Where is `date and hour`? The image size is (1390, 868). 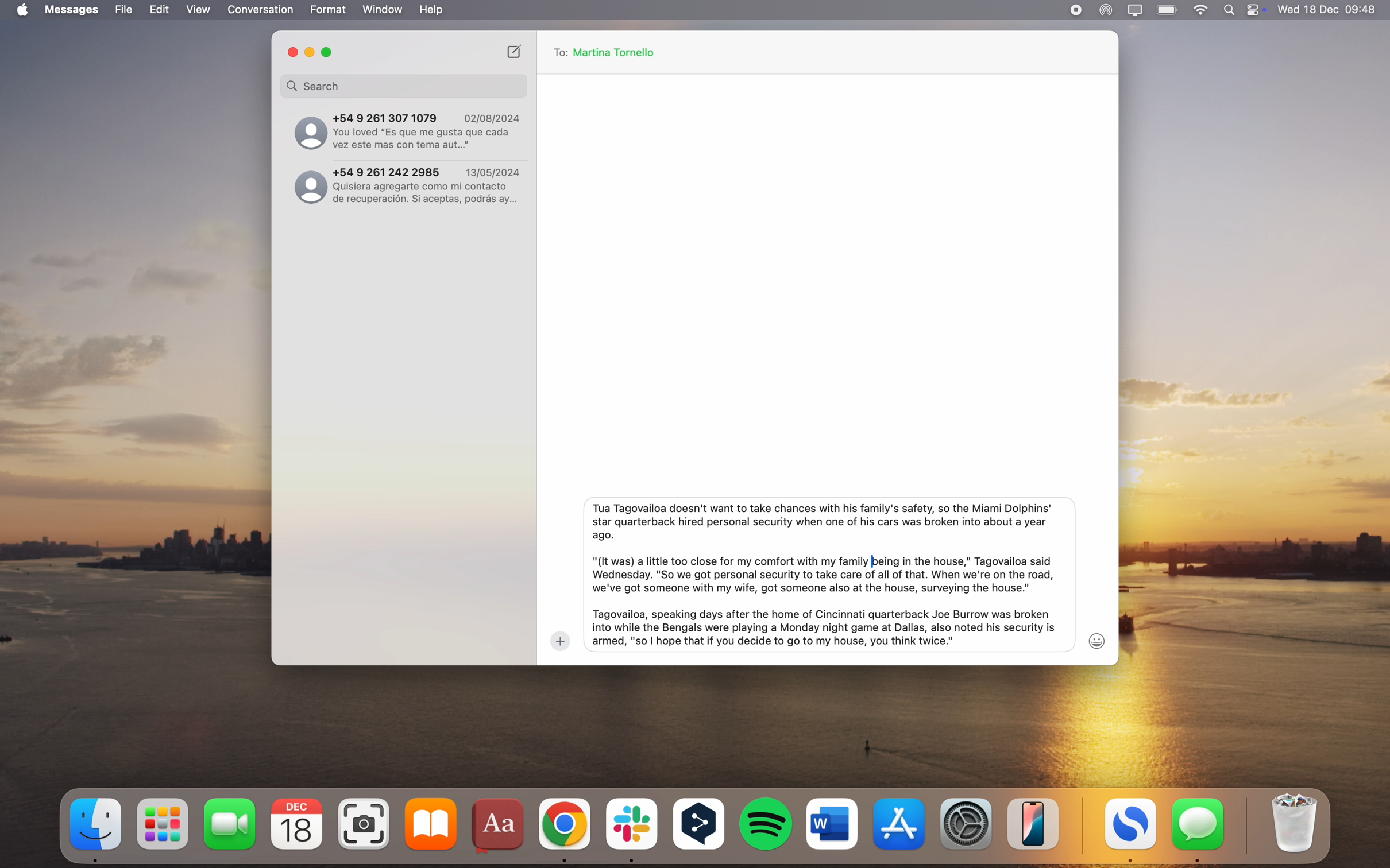
date and hour is located at coordinates (1328, 9).